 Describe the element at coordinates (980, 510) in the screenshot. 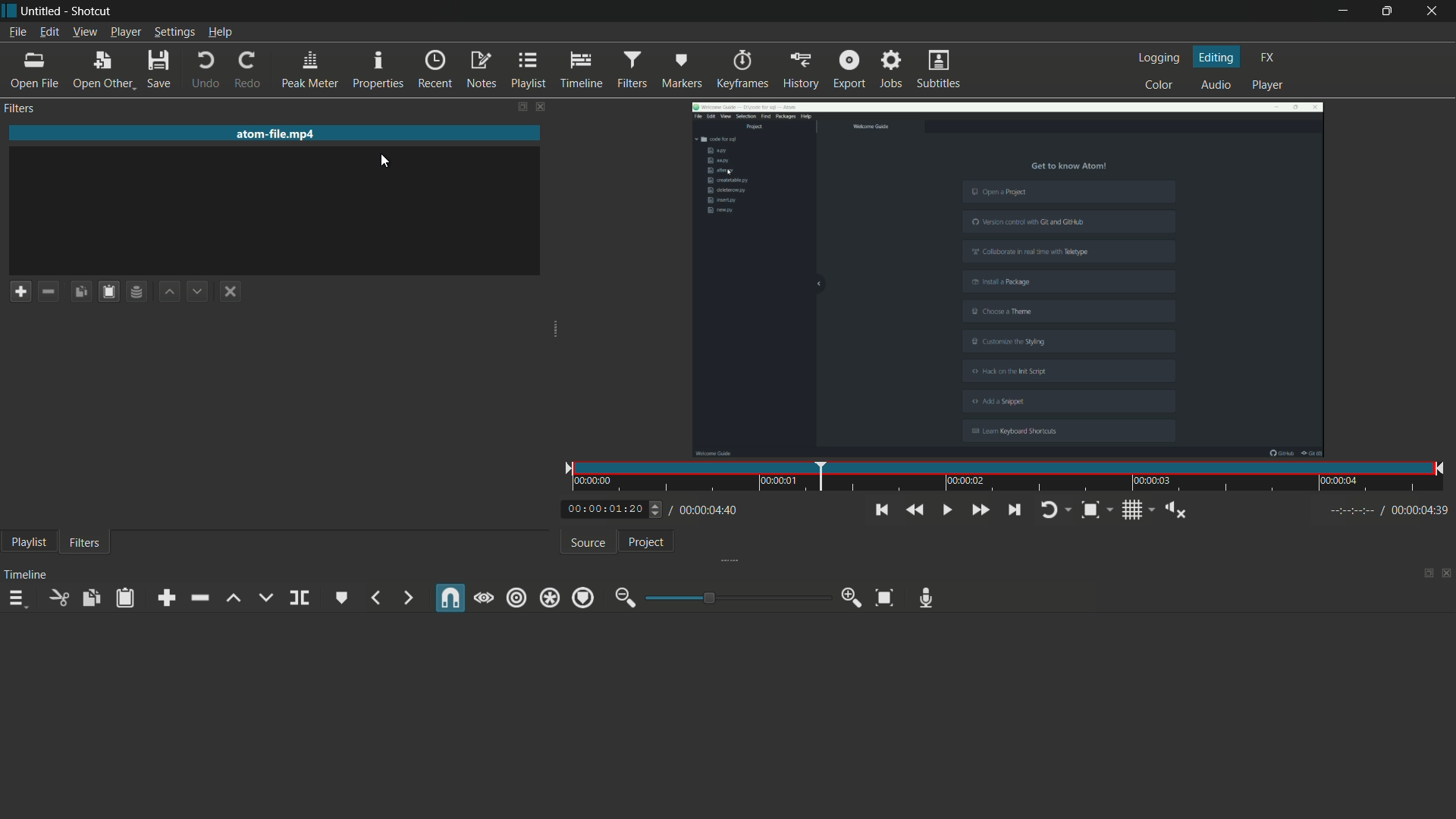

I see `quickly play forward` at that location.